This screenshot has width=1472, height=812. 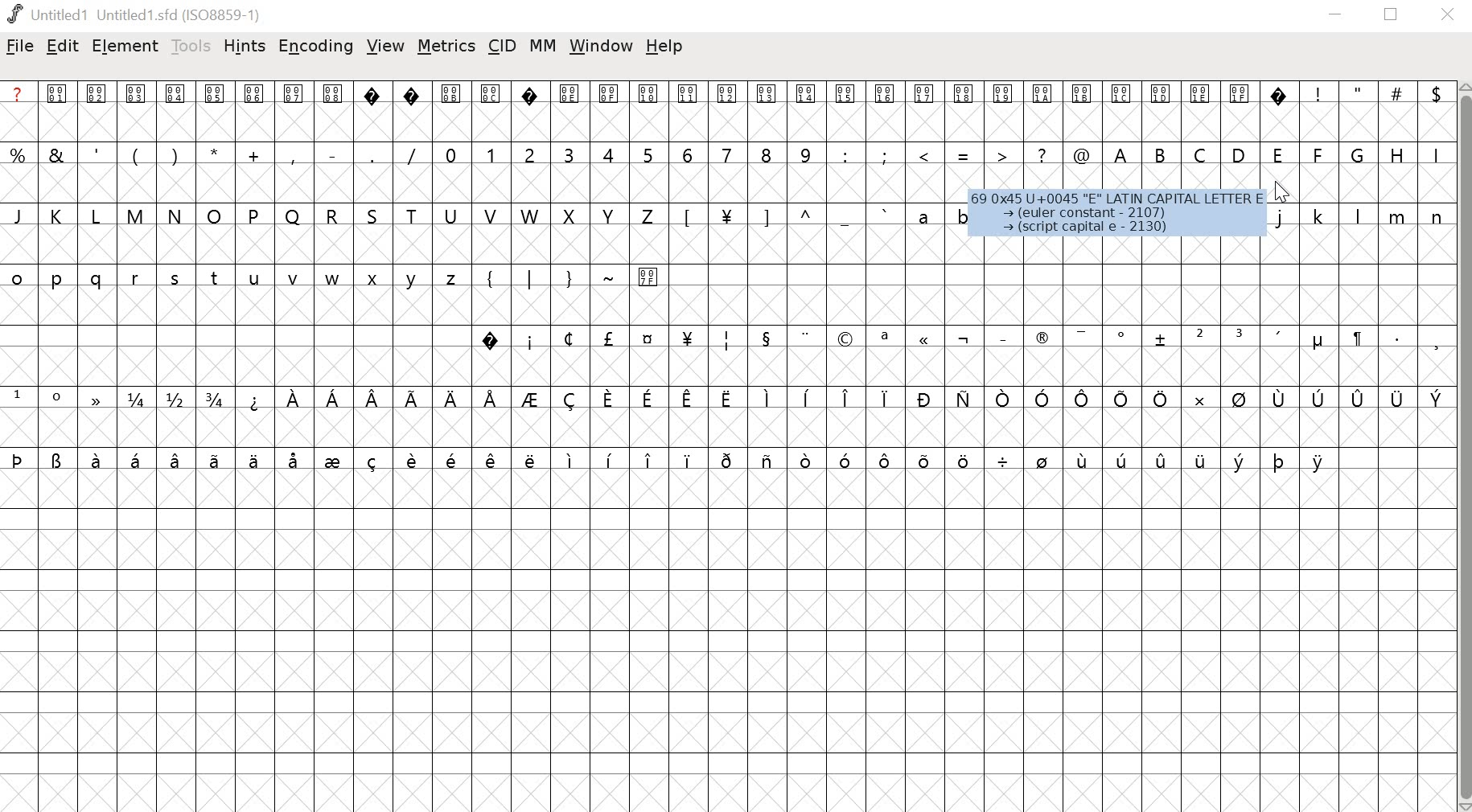 What do you see at coordinates (216, 152) in the screenshot?
I see `symbols` at bounding box center [216, 152].